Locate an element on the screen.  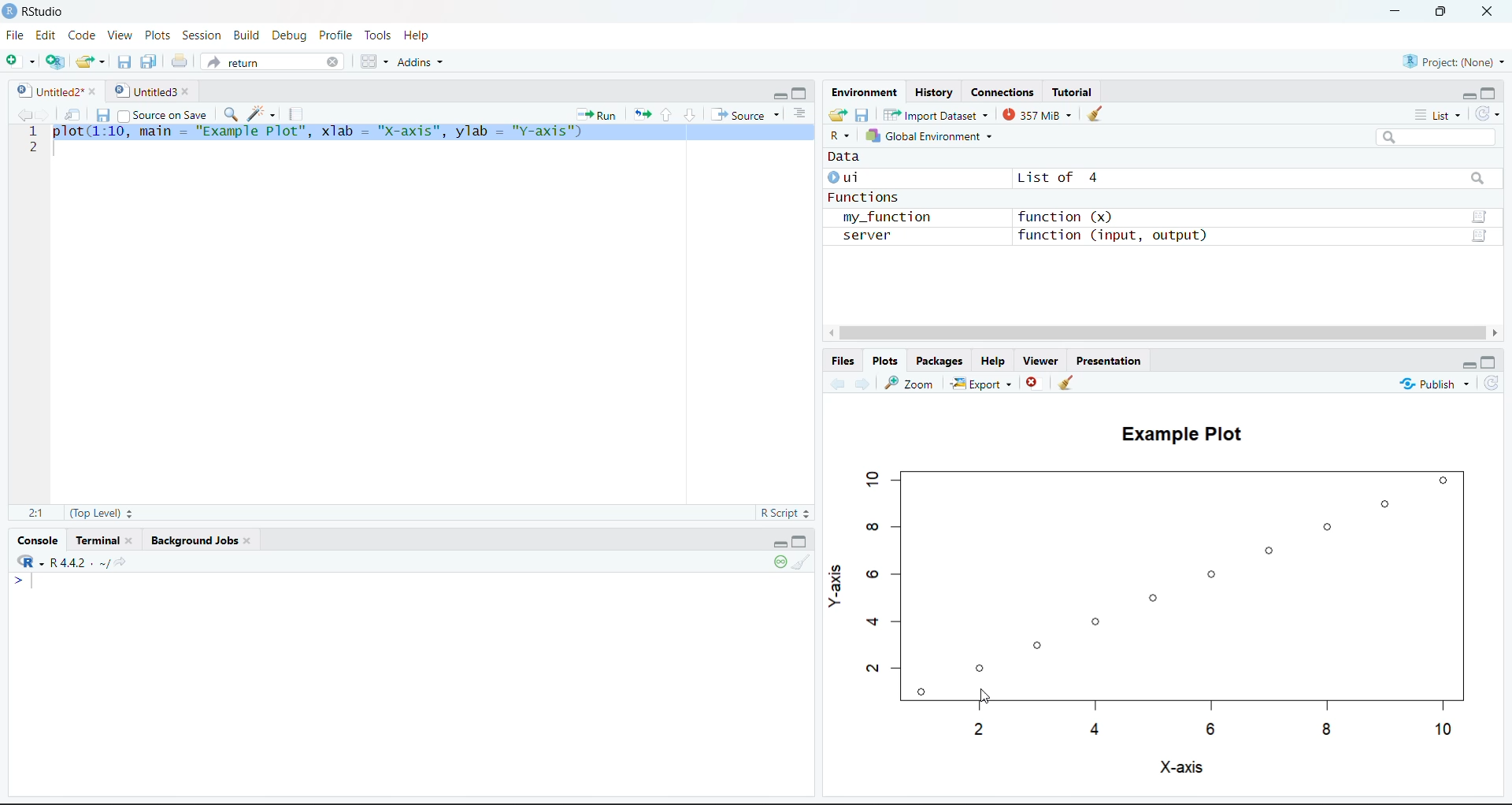
Code Tools is located at coordinates (262, 113).